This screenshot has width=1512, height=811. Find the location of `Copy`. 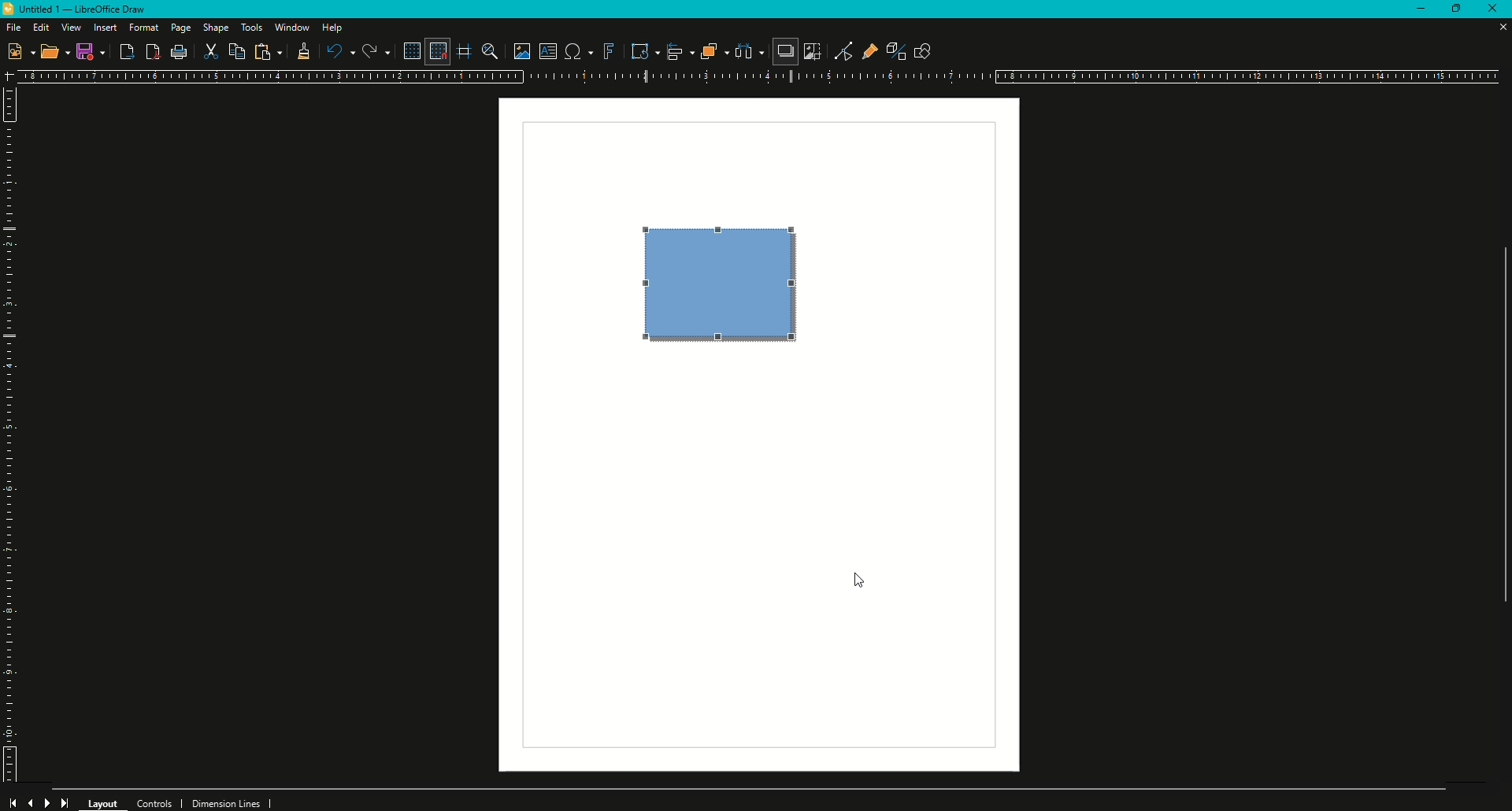

Copy is located at coordinates (239, 51).